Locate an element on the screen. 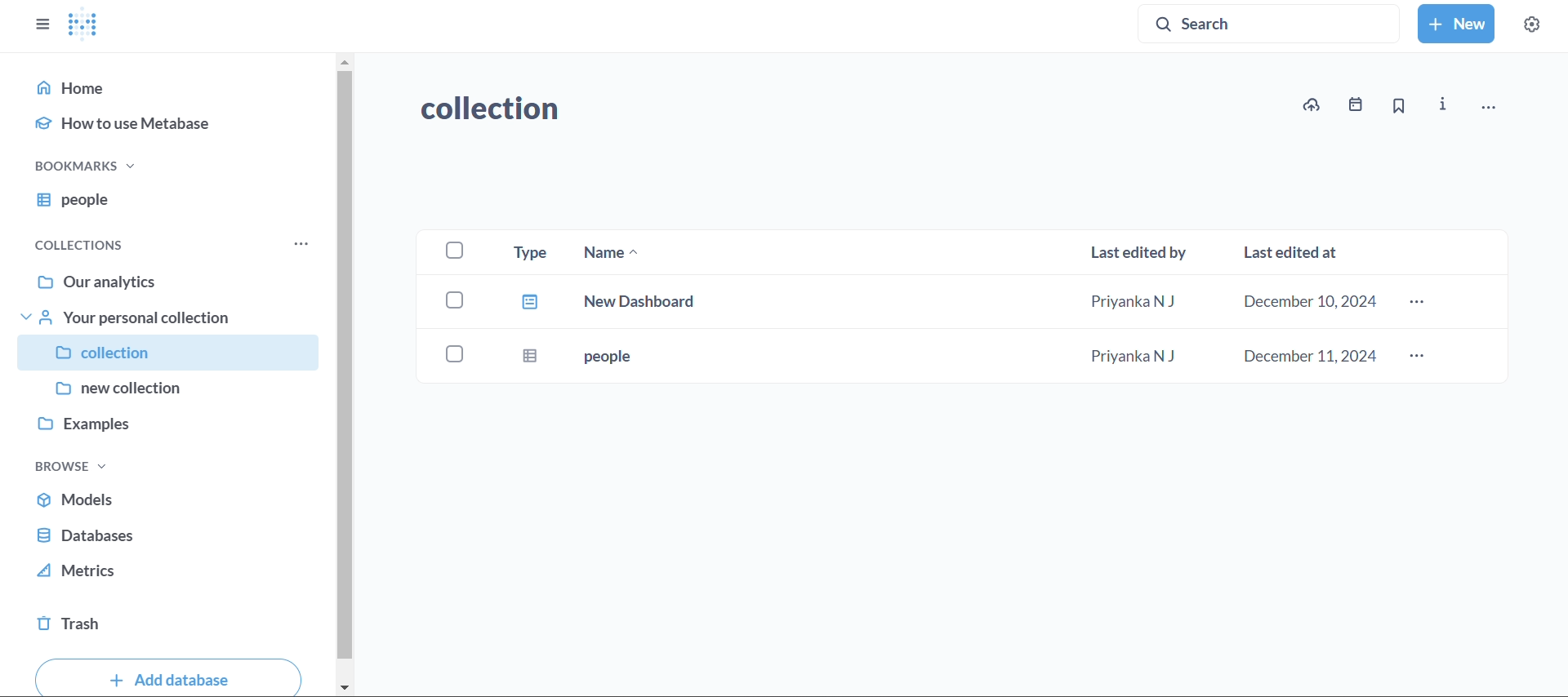  vertical scroll bar is located at coordinates (345, 374).